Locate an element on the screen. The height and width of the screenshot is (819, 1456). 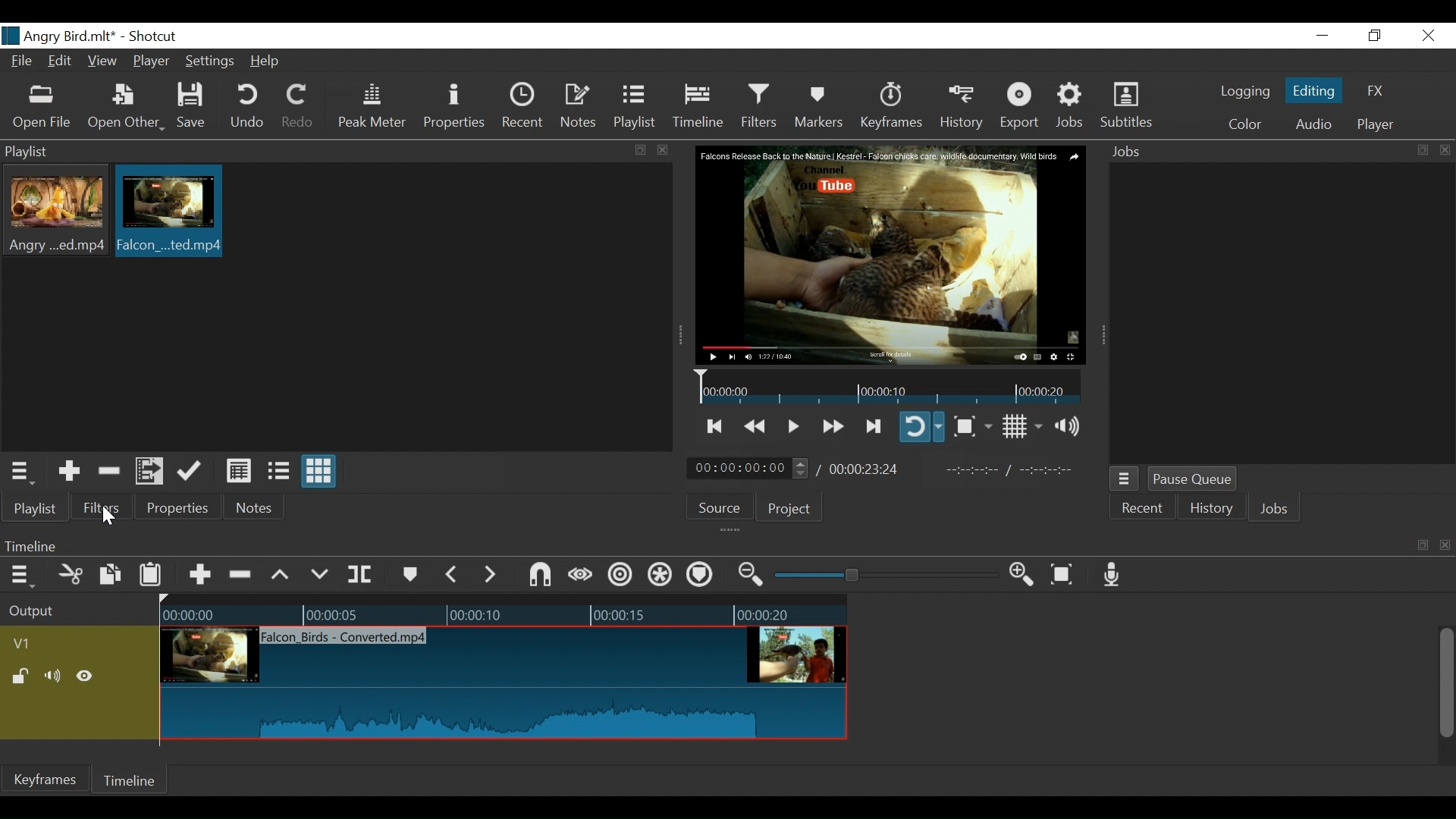
Pause Queue is located at coordinates (1194, 480).